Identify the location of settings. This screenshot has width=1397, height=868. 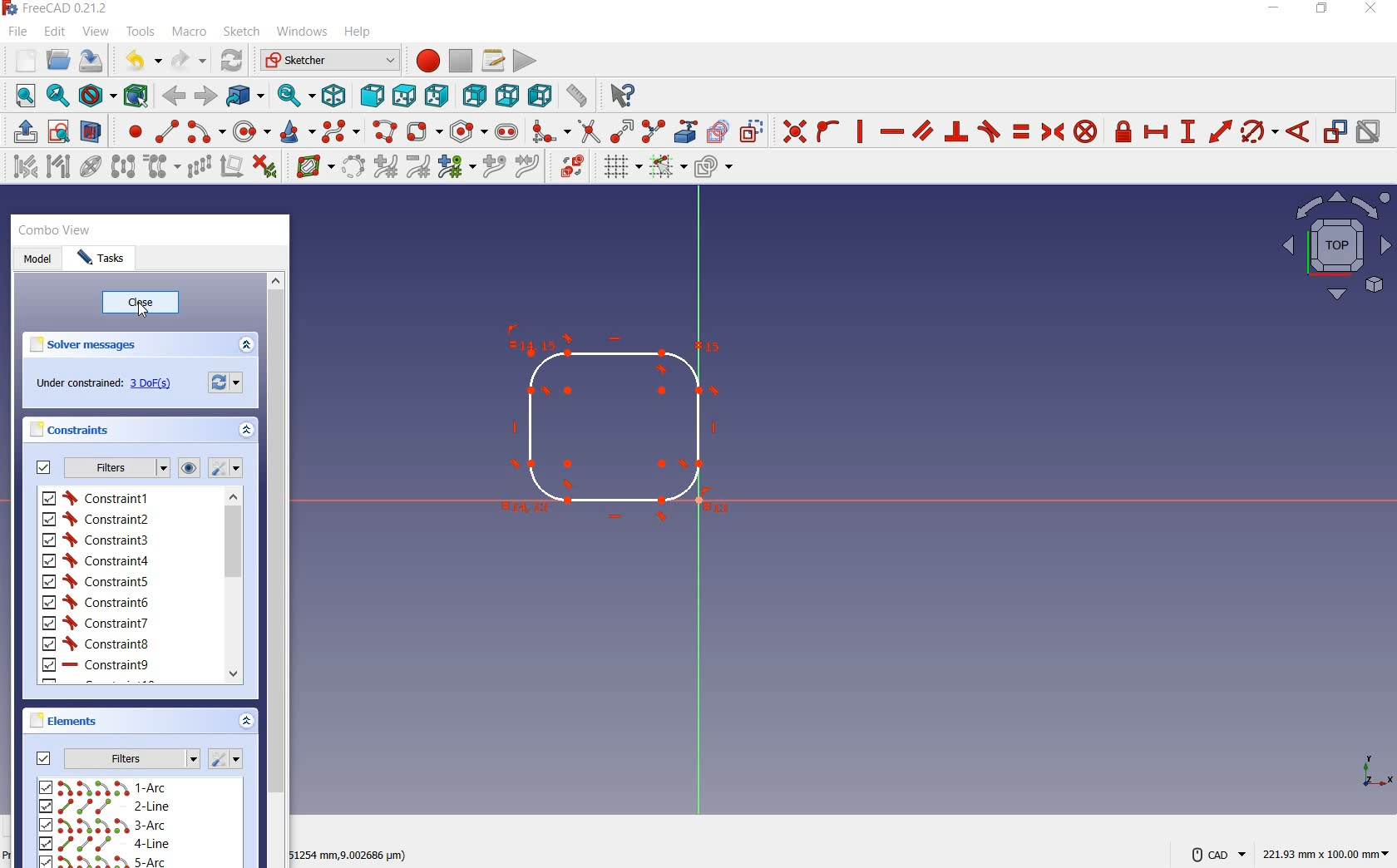
(229, 470).